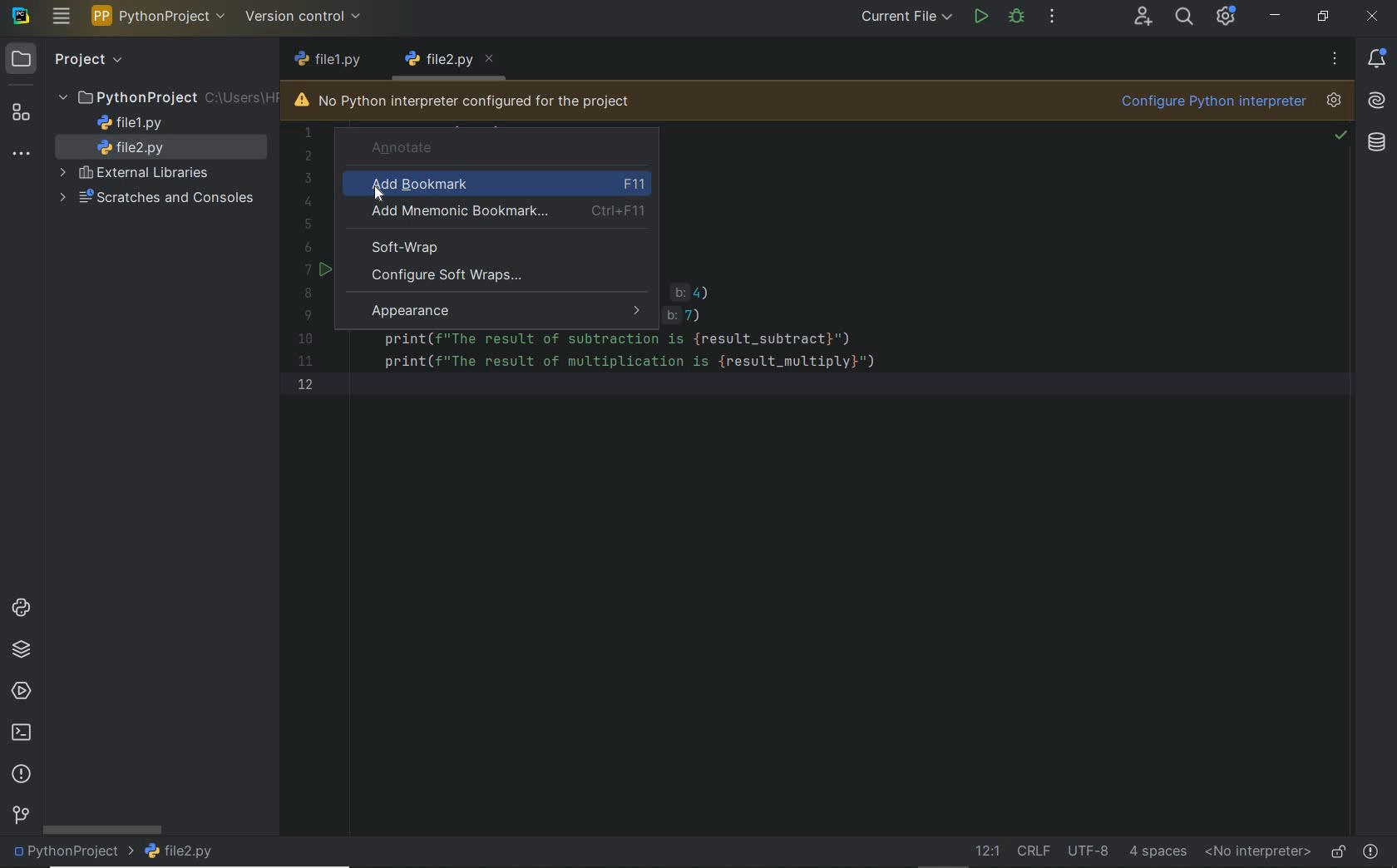 The height and width of the screenshot is (868, 1397). What do you see at coordinates (1380, 58) in the screenshot?
I see `notifications` at bounding box center [1380, 58].